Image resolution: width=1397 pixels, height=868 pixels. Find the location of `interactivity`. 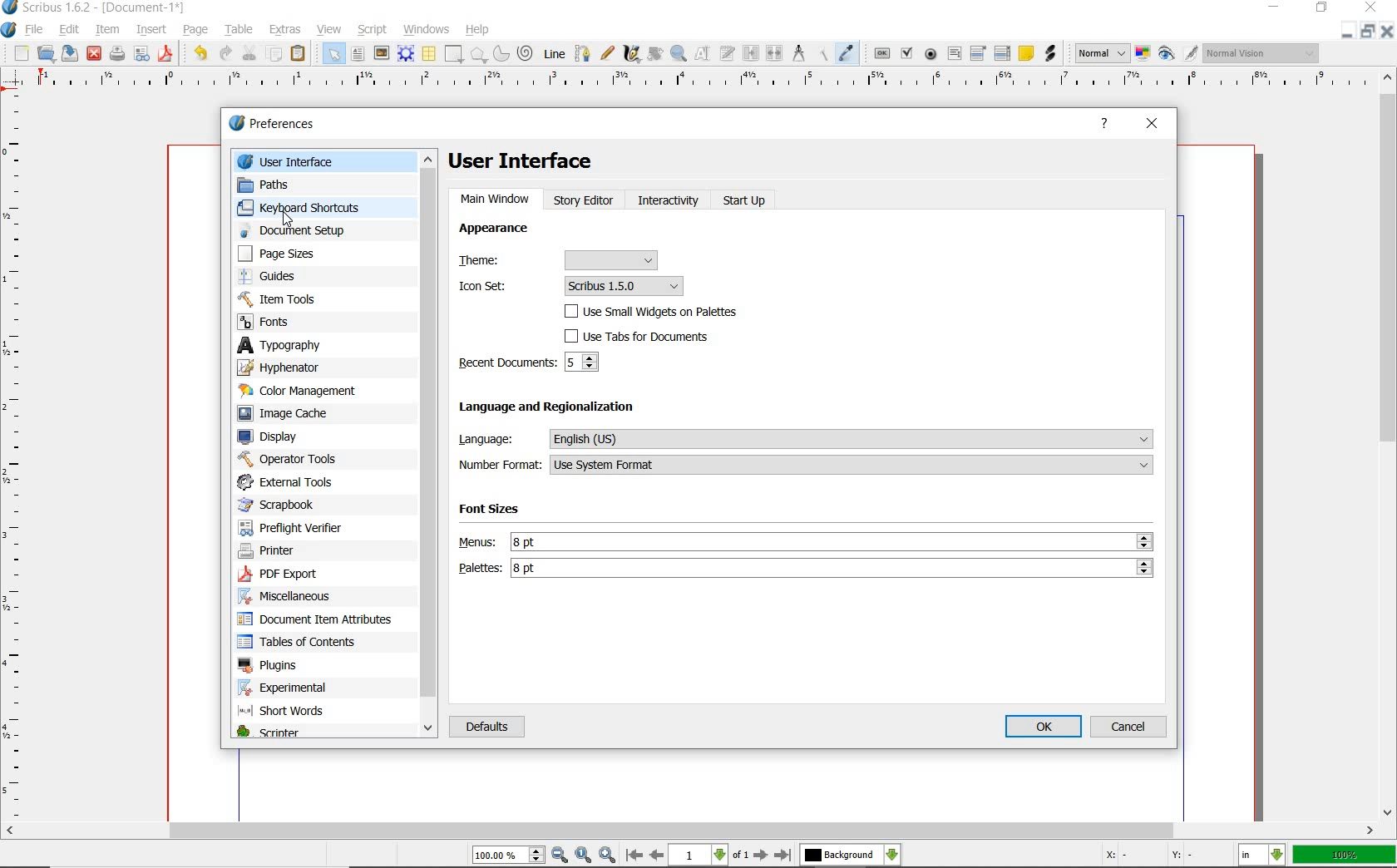

interactivity is located at coordinates (668, 201).